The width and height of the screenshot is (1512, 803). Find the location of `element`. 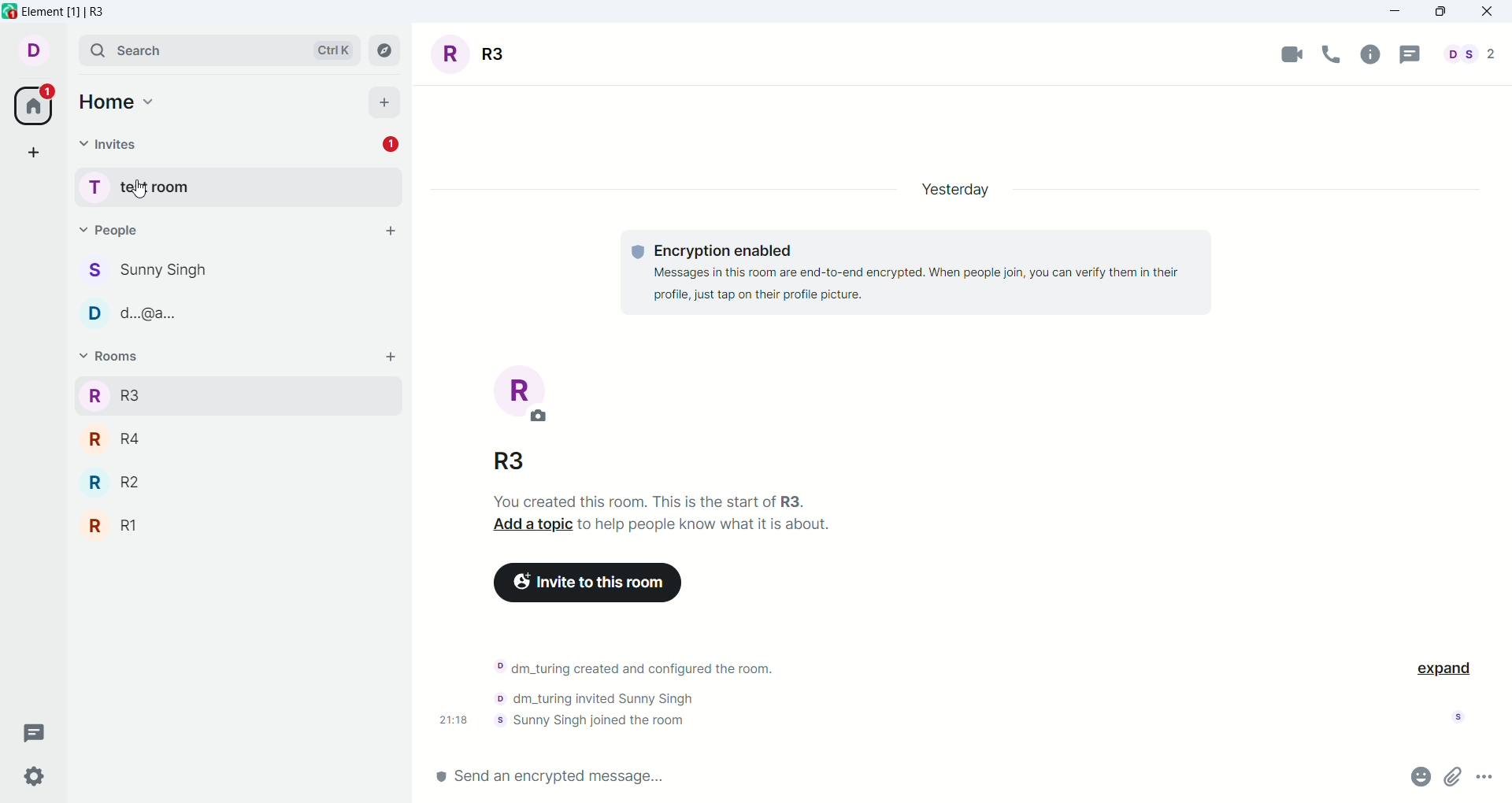

element is located at coordinates (65, 12).